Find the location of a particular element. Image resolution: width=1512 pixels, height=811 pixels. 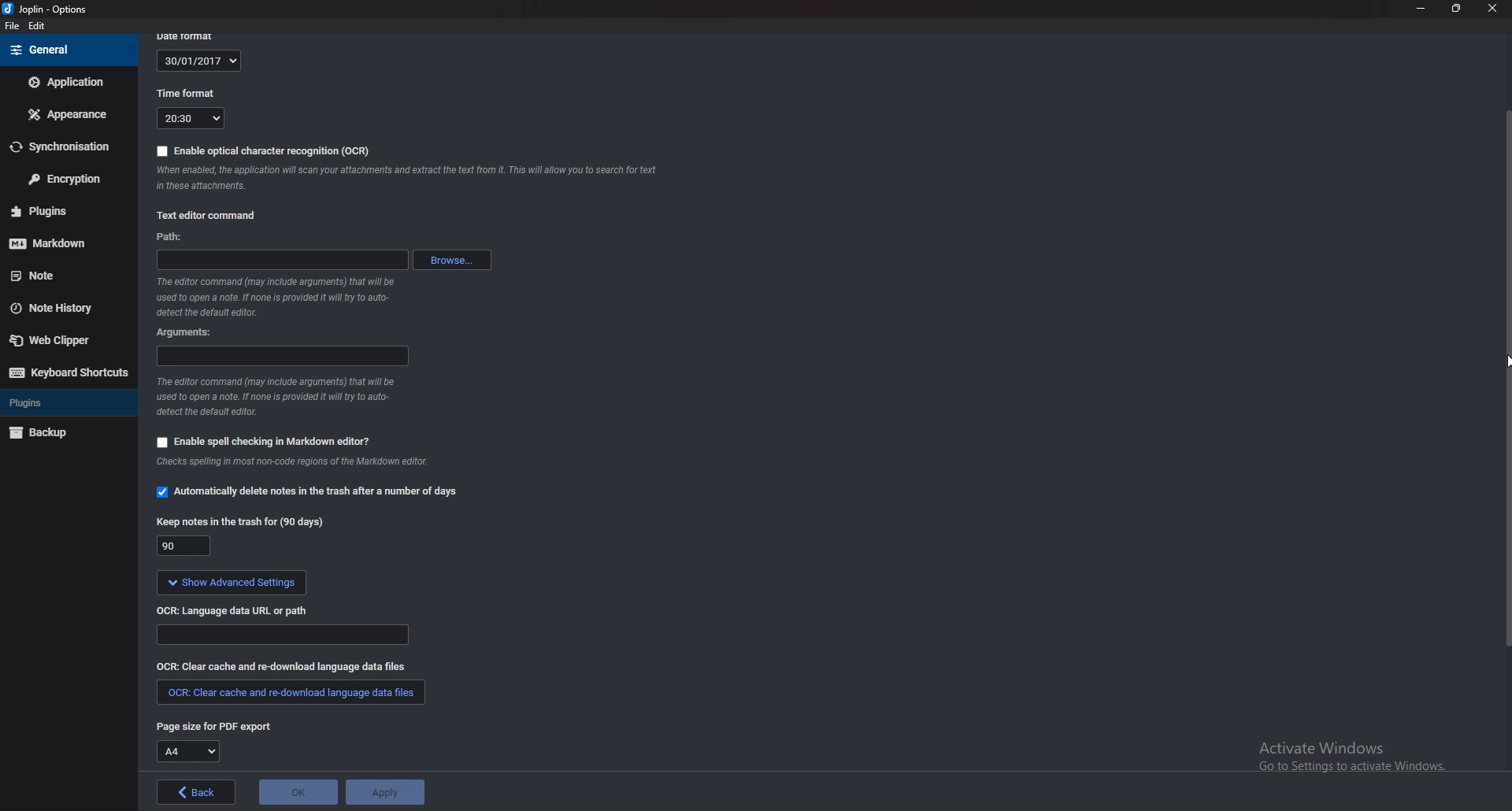

Keep notes in the trash for is located at coordinates (240, 524).